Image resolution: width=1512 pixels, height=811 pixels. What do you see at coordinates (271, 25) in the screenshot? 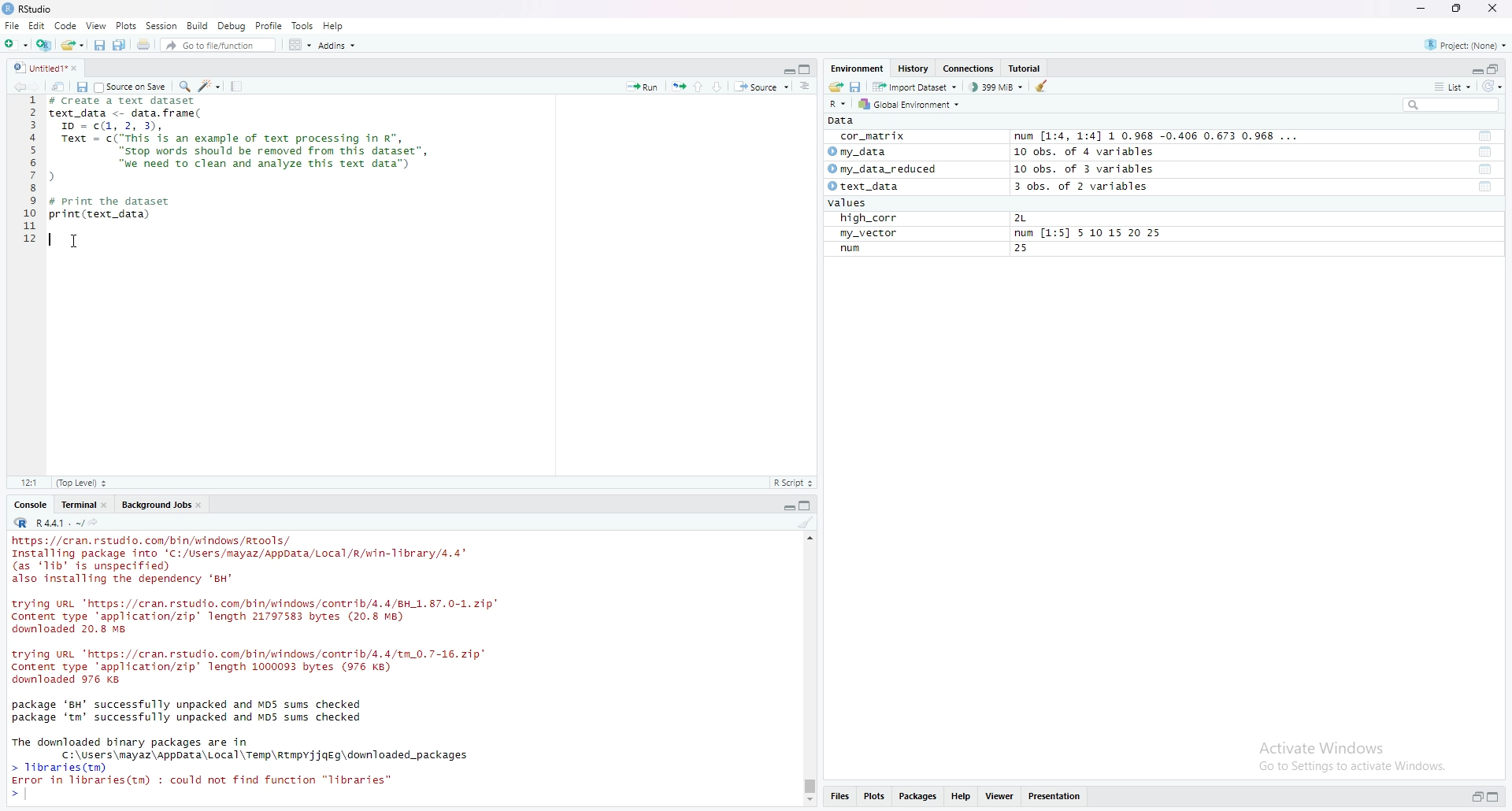
I see `profile` at bounding box center [271, 25].